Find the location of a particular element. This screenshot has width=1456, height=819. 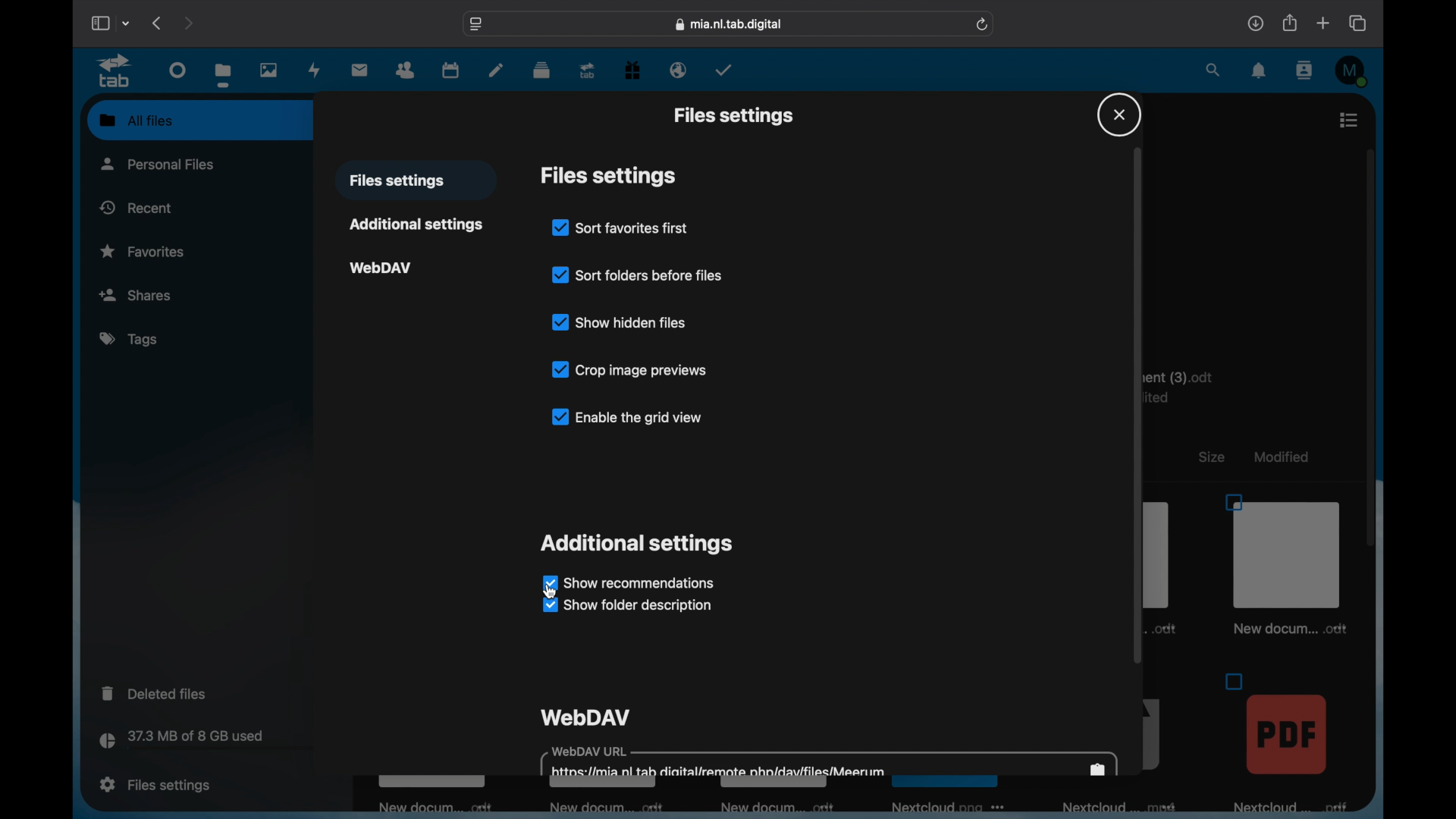

modified is located at coordinates (1282, 457).